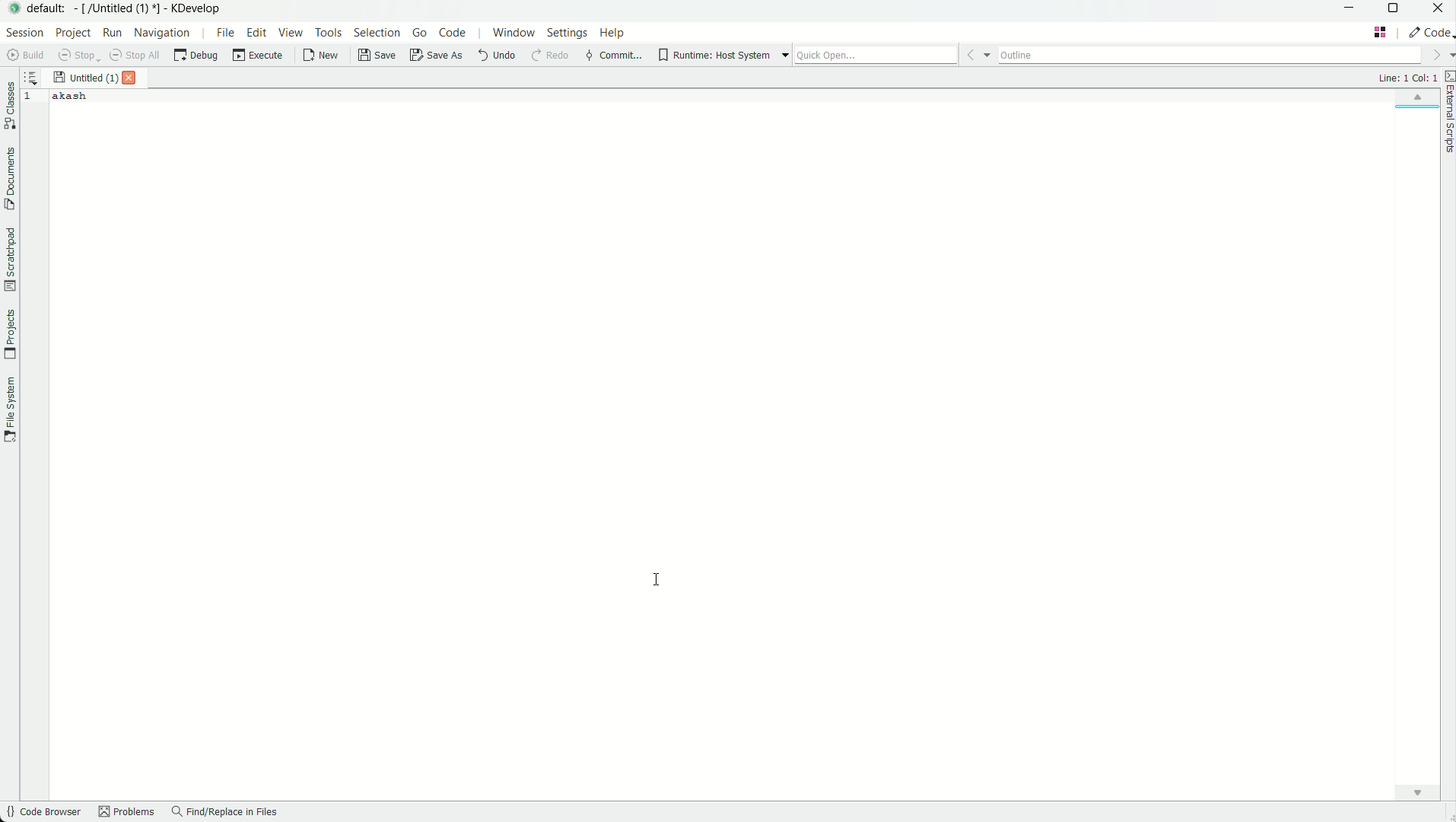 This screenshot has height=822, width=1456. I want to click on code menu, so click(453, 33).